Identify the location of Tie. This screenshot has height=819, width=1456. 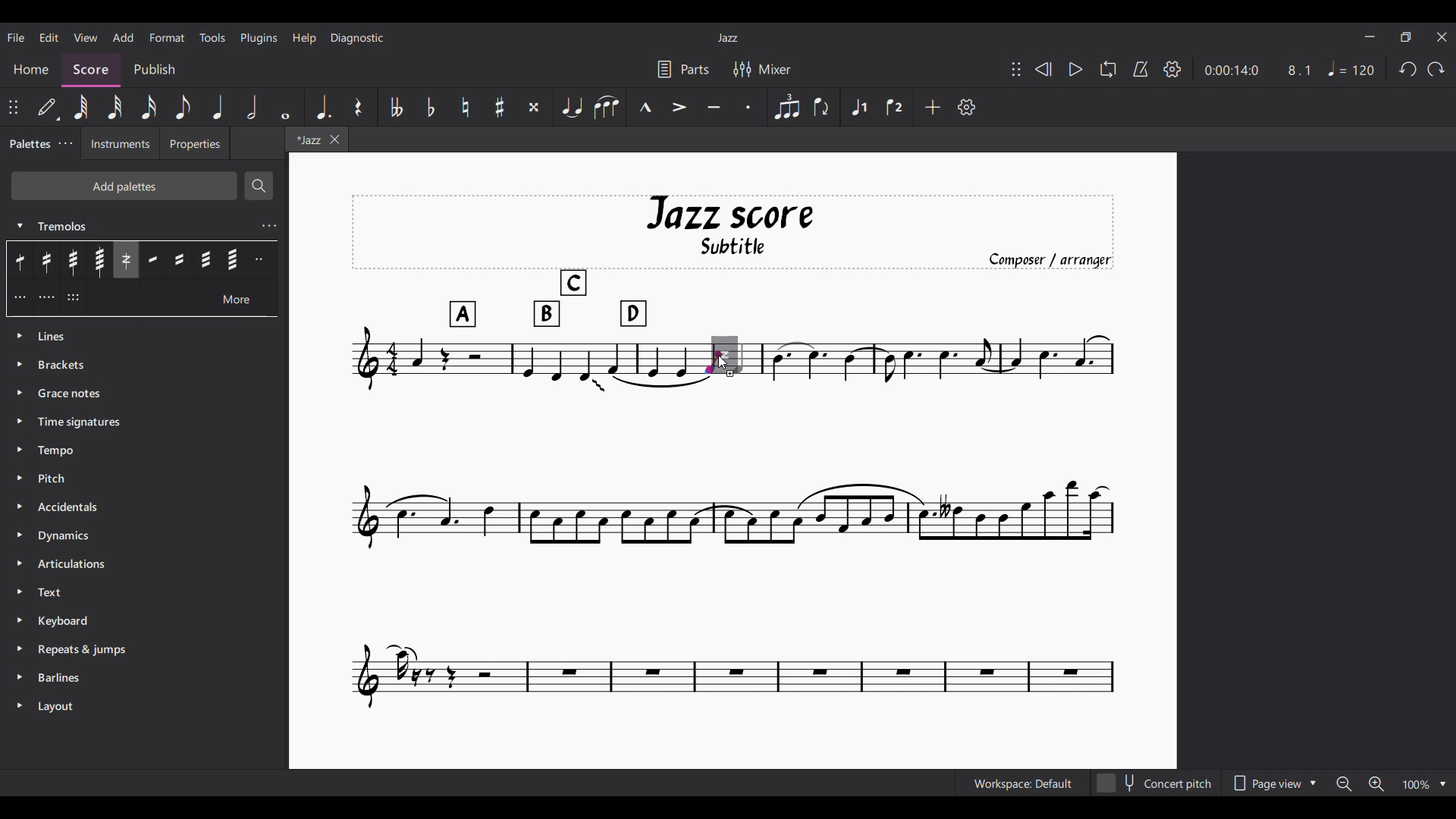
(572, 106).